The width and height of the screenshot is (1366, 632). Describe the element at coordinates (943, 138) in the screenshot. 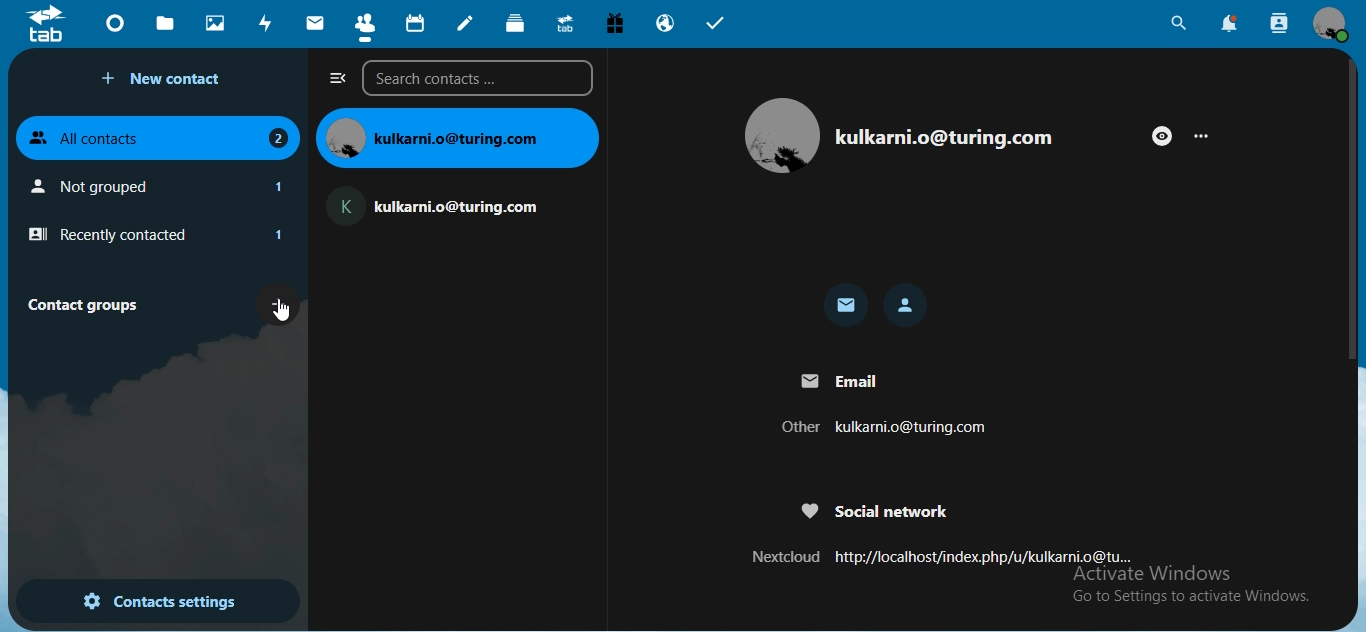

I see `kulkarni.o@turing.com` at that location.